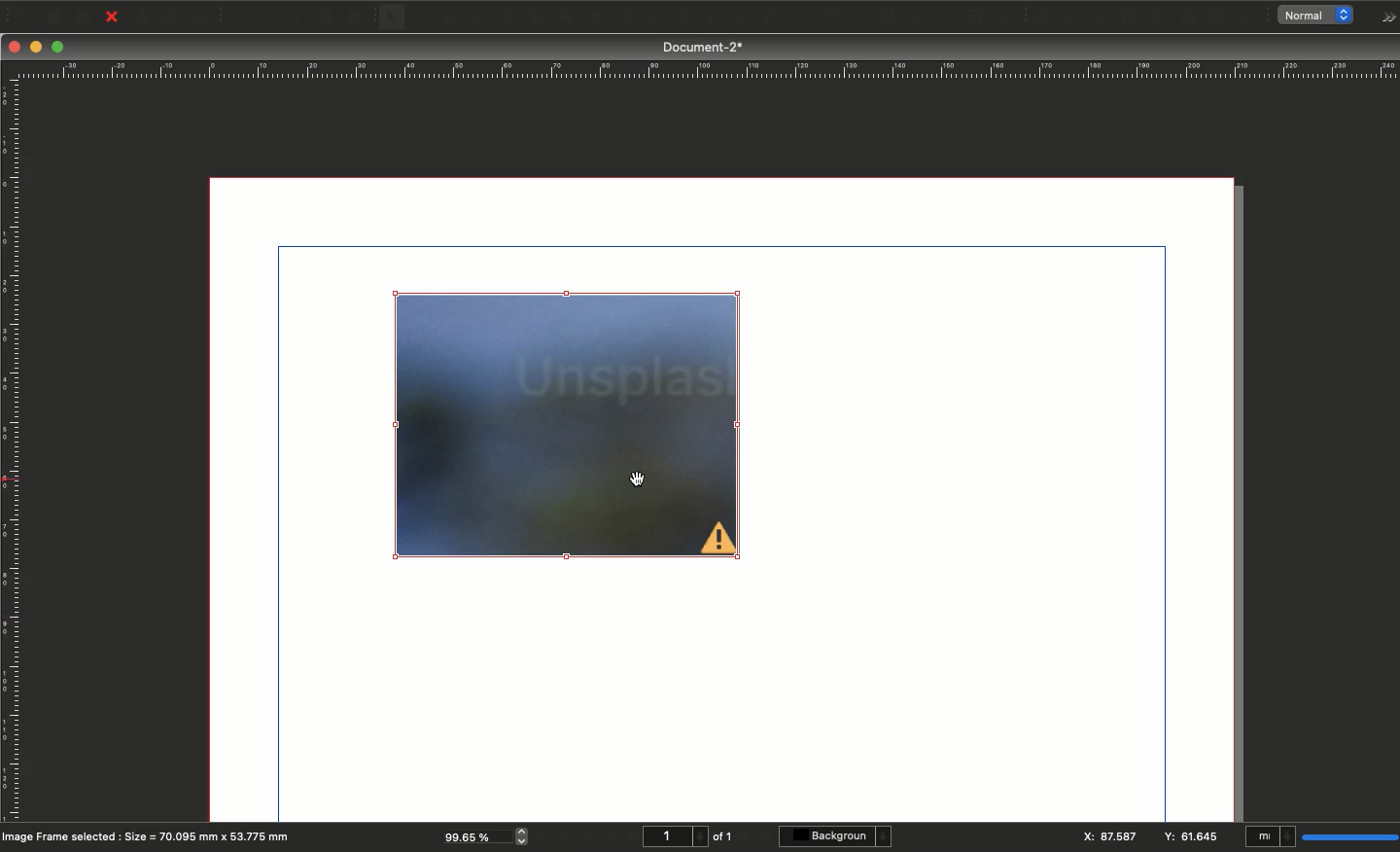 The width and height of the screenshot is (1400, 852). What do you see at coordinates (112, 18) in the screenshot?
I see `Close` at bounding box center [112, 18].